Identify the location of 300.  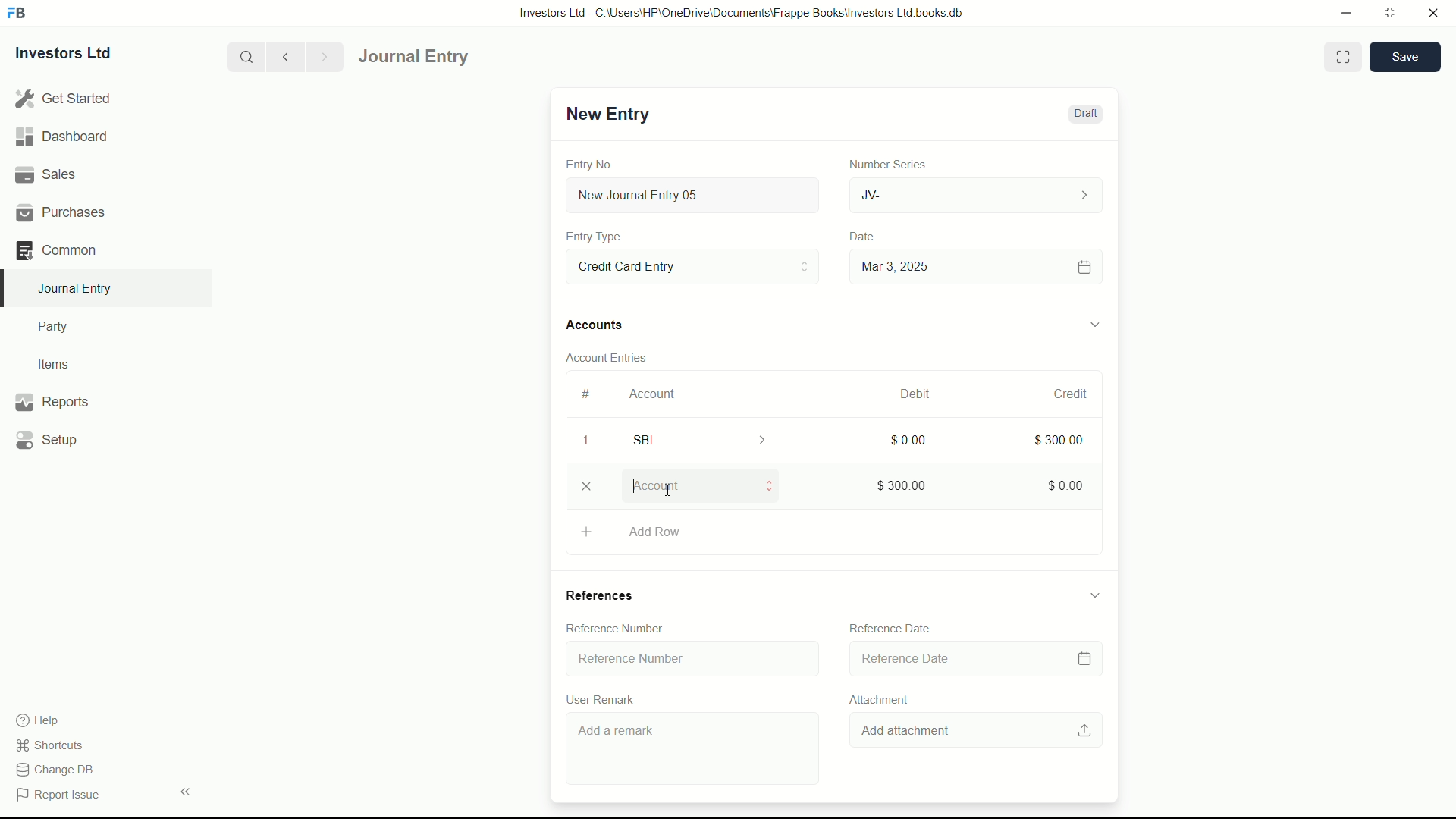
(1014, 440).